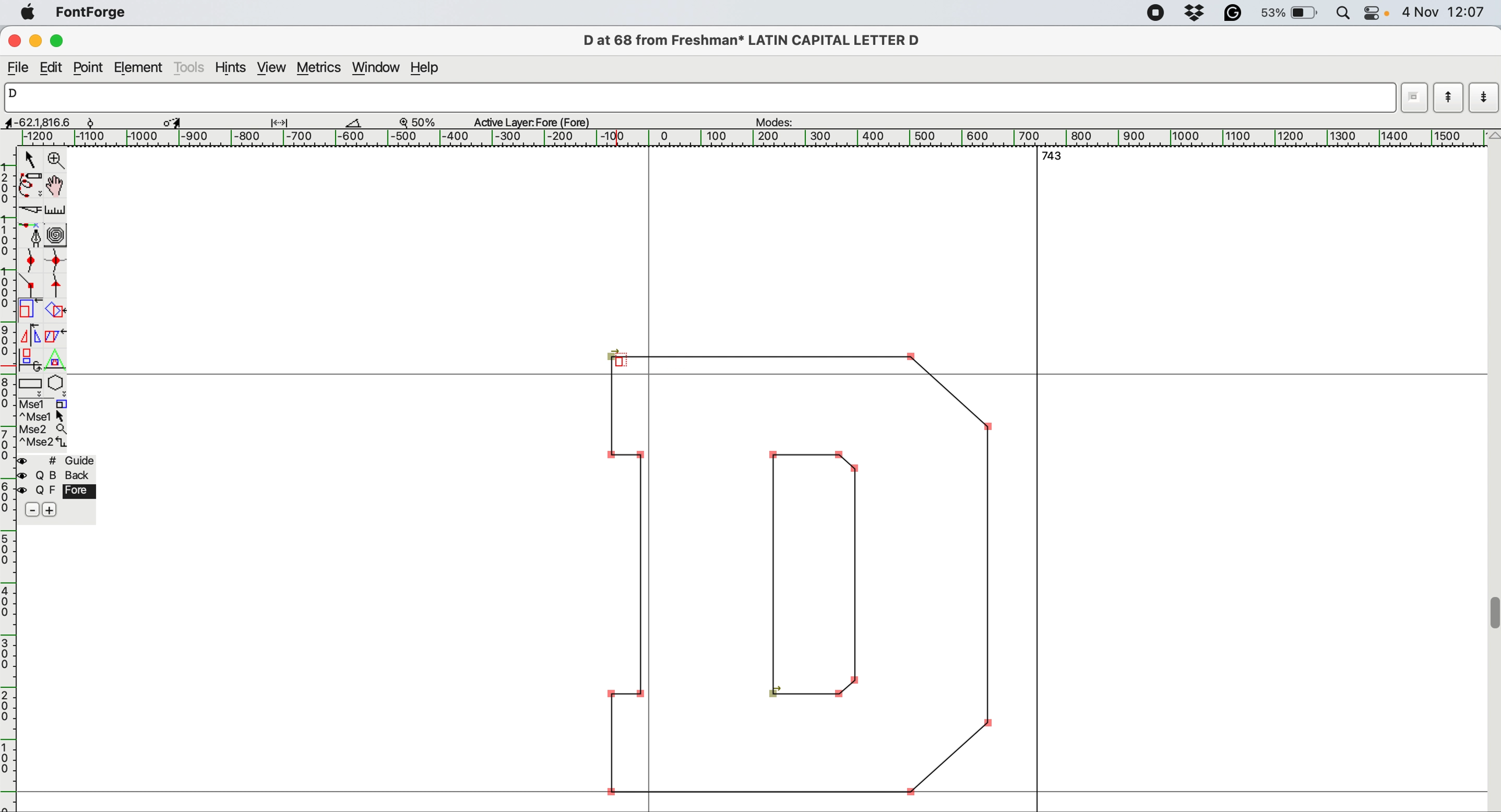 The height and width of the screenshot is (812, 1501). I want to click on file, so click(19, 68).